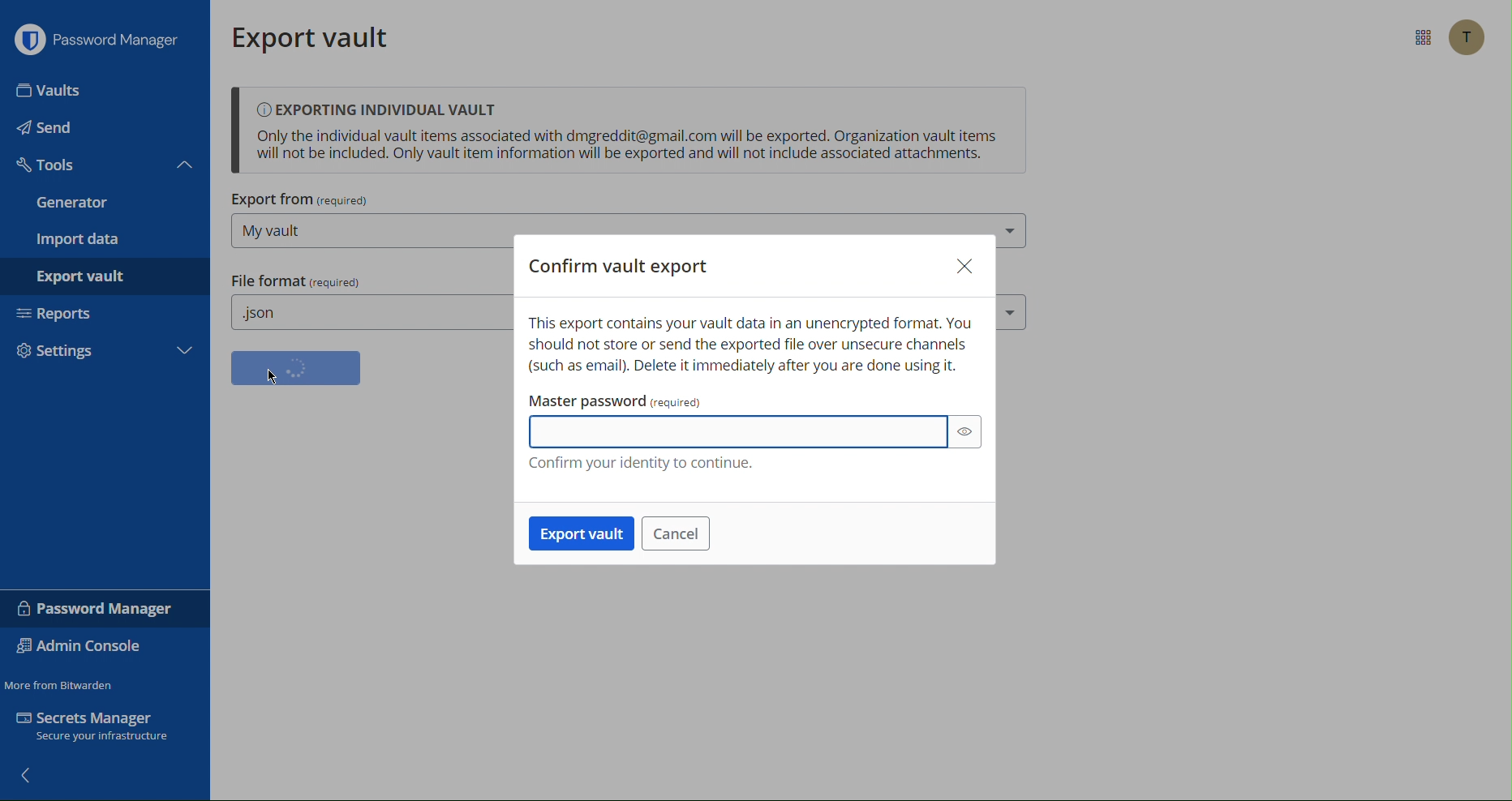 The image size is (1512, 801). What do you see at coordinates (61, 311) in the screenshot?
I see `Reports` at bounding box center [61, 311].